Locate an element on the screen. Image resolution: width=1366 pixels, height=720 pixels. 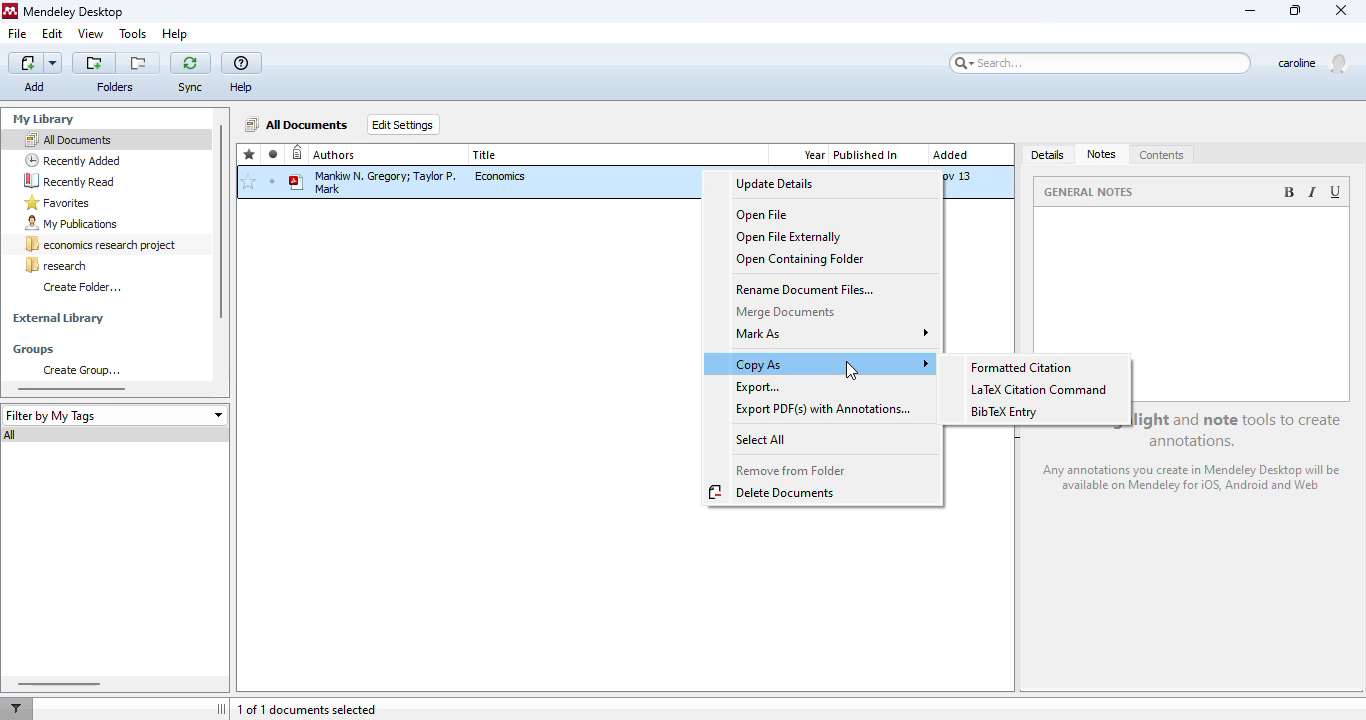
economics is located at coordinates (502, 176).